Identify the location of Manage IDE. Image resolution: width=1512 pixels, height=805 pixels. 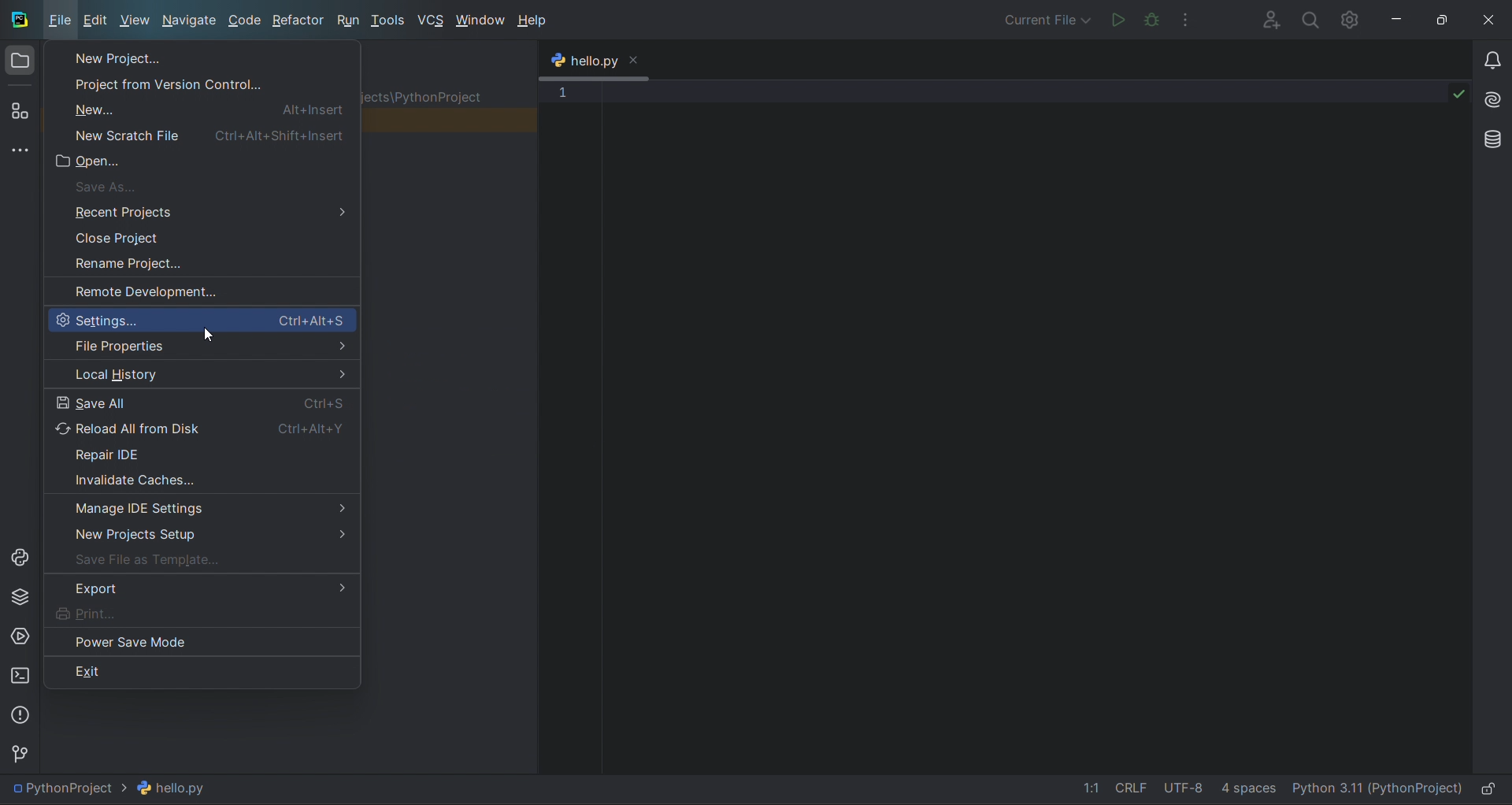
(202, 505).